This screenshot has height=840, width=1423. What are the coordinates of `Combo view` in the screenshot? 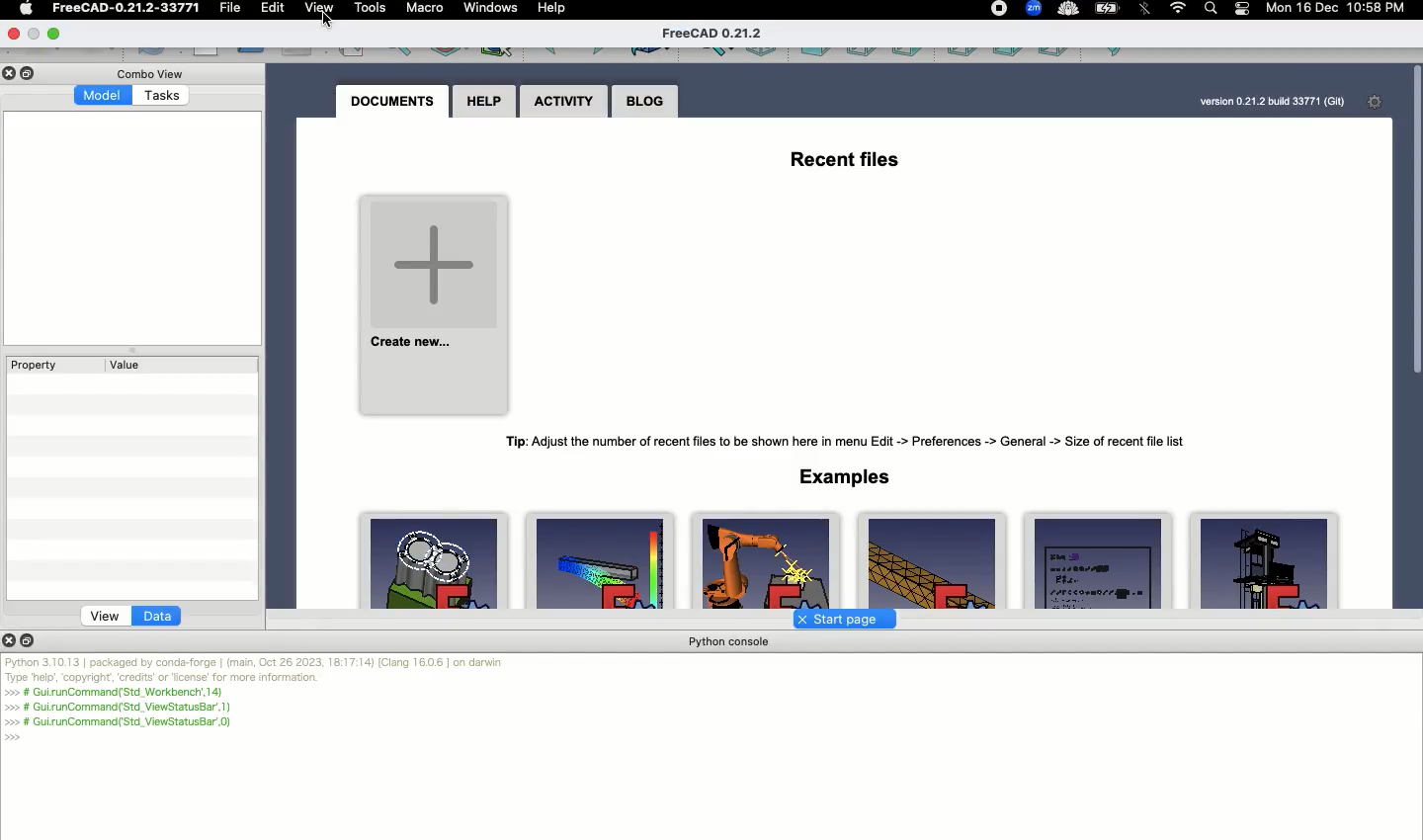 It's located at (156, 73).